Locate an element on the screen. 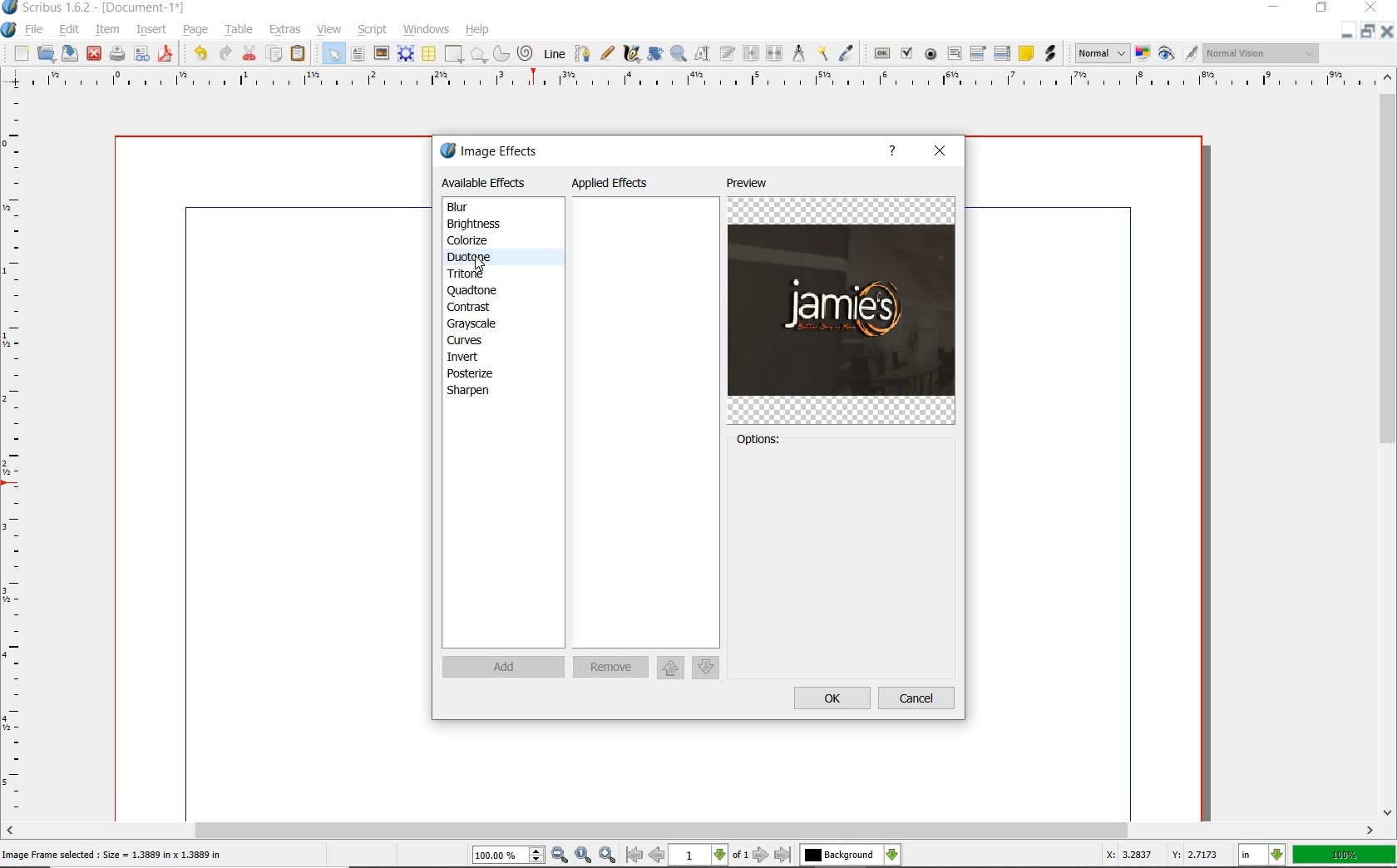 The image size is (1397, 868). pdf combo box is located at coordinates (975, 53).